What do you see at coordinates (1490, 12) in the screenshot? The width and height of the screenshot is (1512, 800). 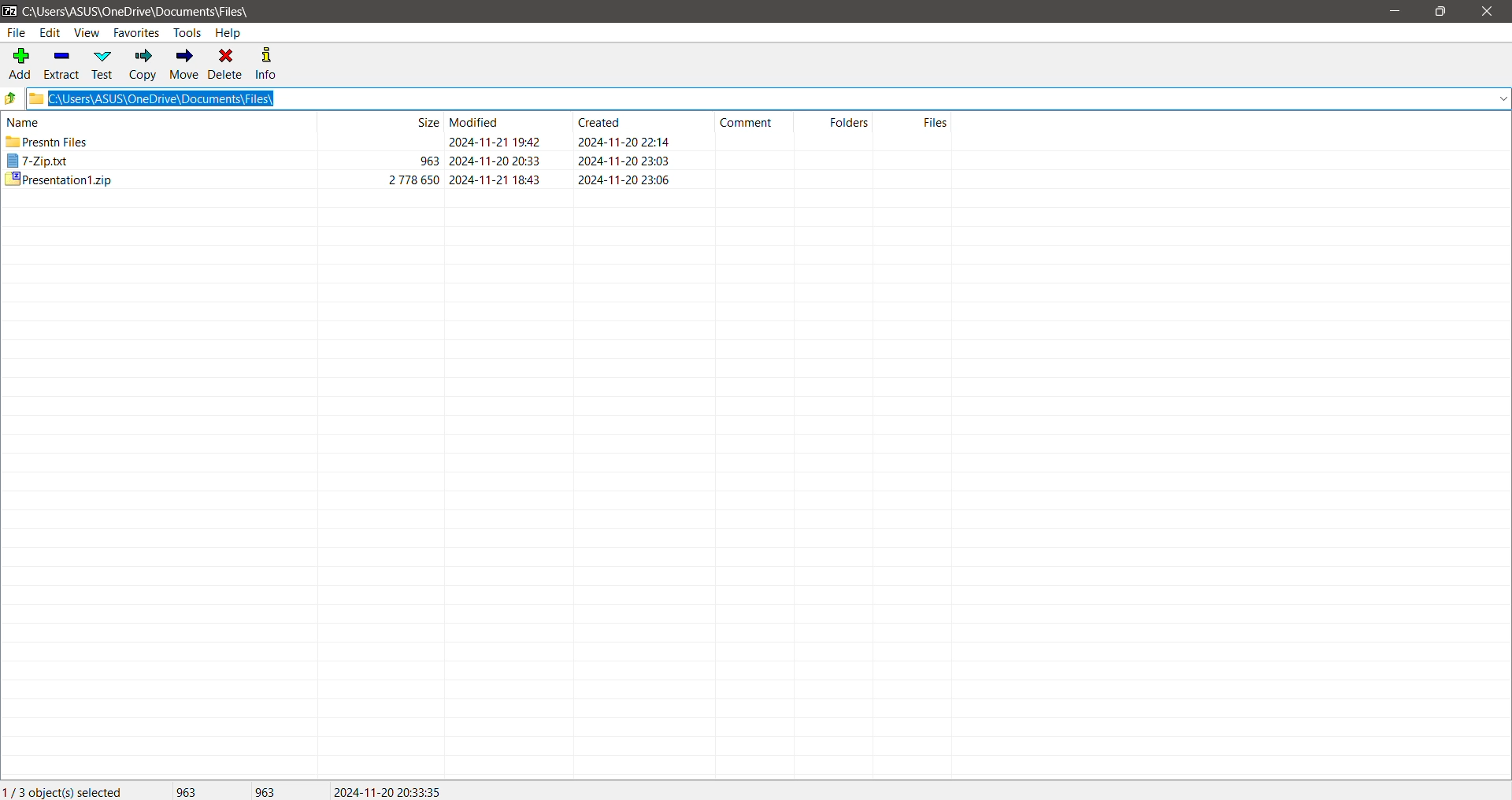 I see `Close` at bounding box center [1490, 12].